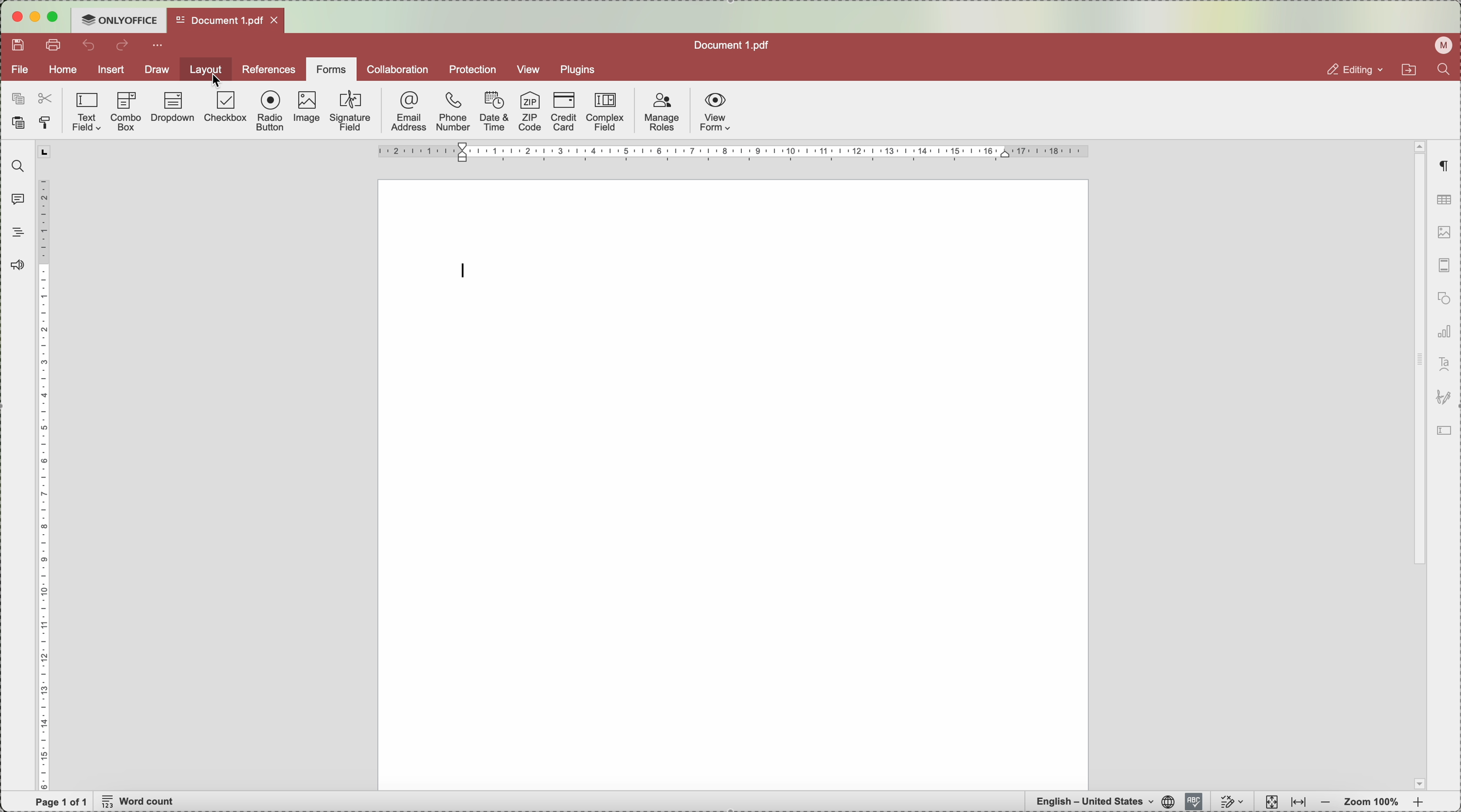  I want to click on charts settings, so click(1443, 333).